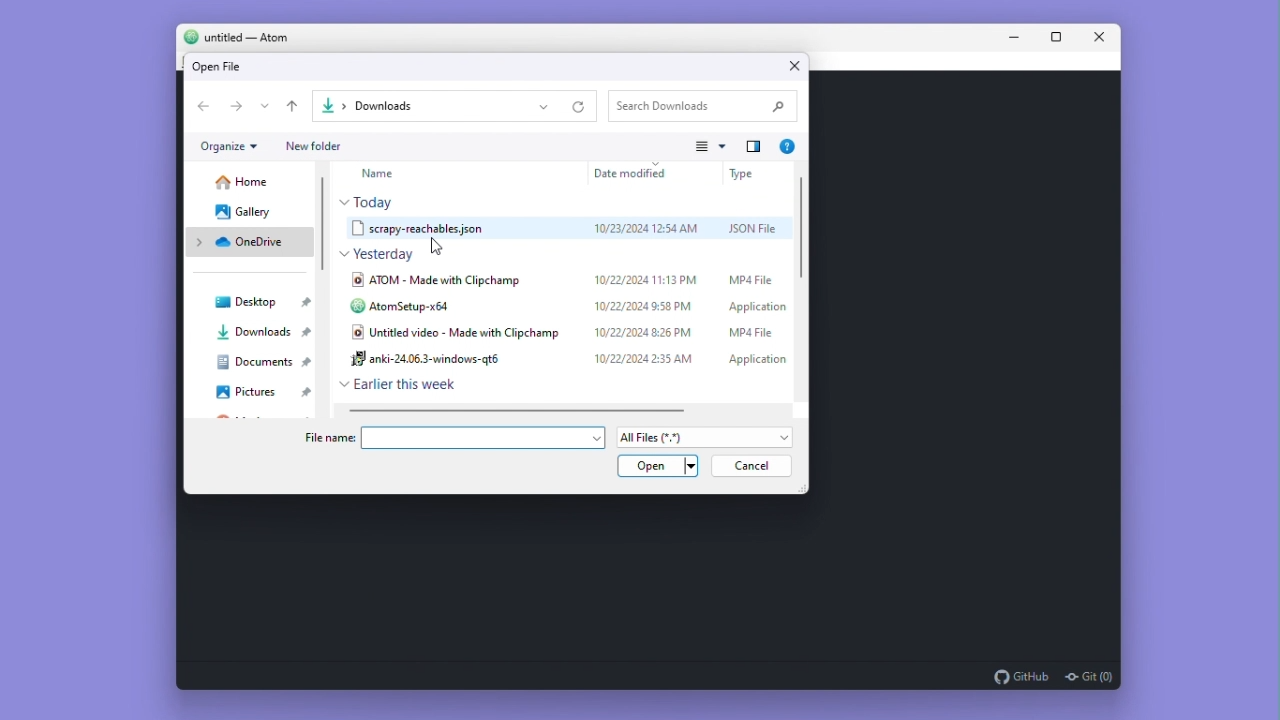 Image resolution: width=1280 pixels, height=720 pixels. Describe the element at coordinates (711, 147) in the screenshot. I see `View ` at that location.